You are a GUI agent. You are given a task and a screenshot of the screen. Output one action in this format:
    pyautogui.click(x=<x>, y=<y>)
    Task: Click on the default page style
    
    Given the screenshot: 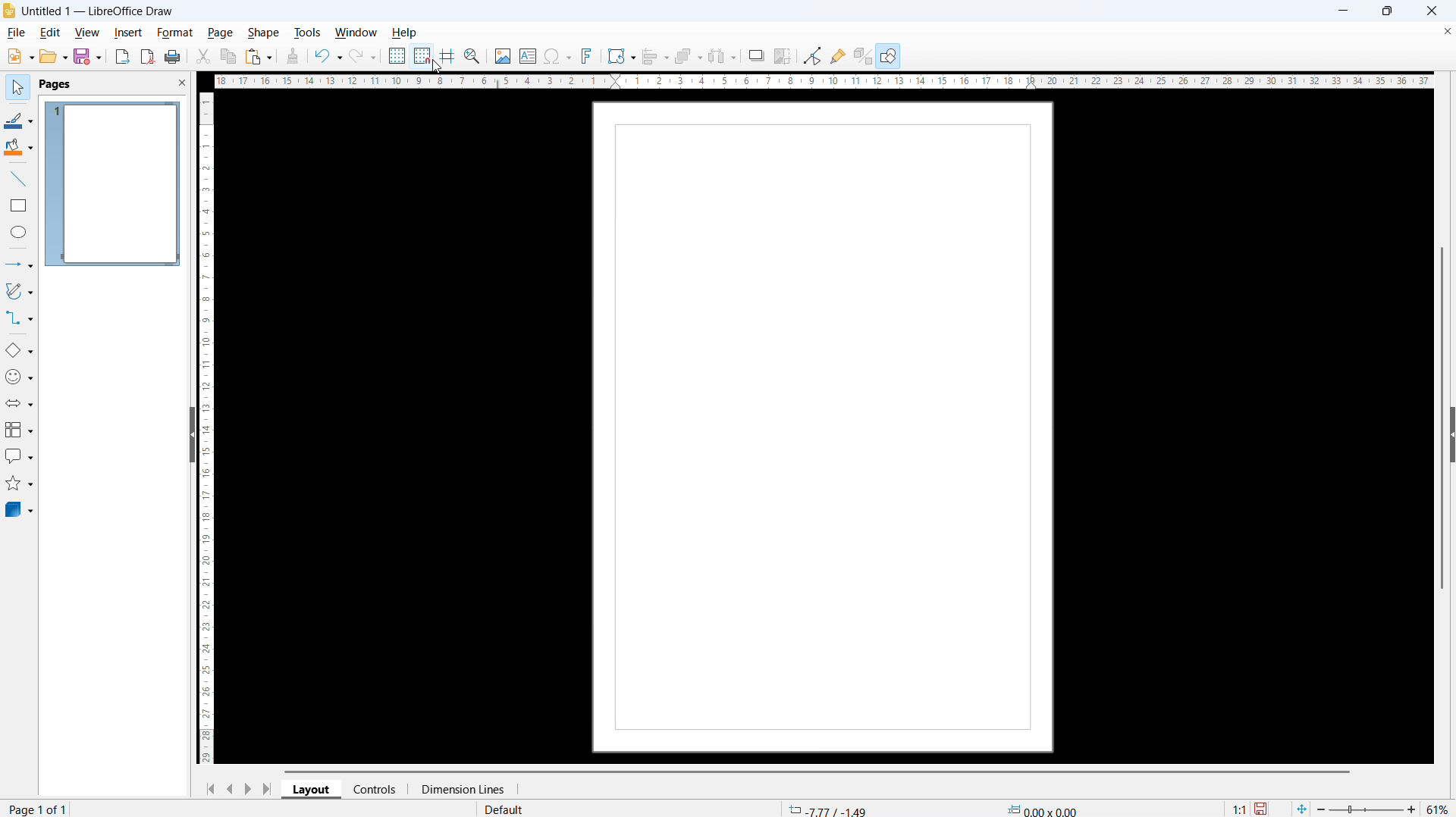 What is the action you would take?
    pyautogui.click(x=507, y=809)
    